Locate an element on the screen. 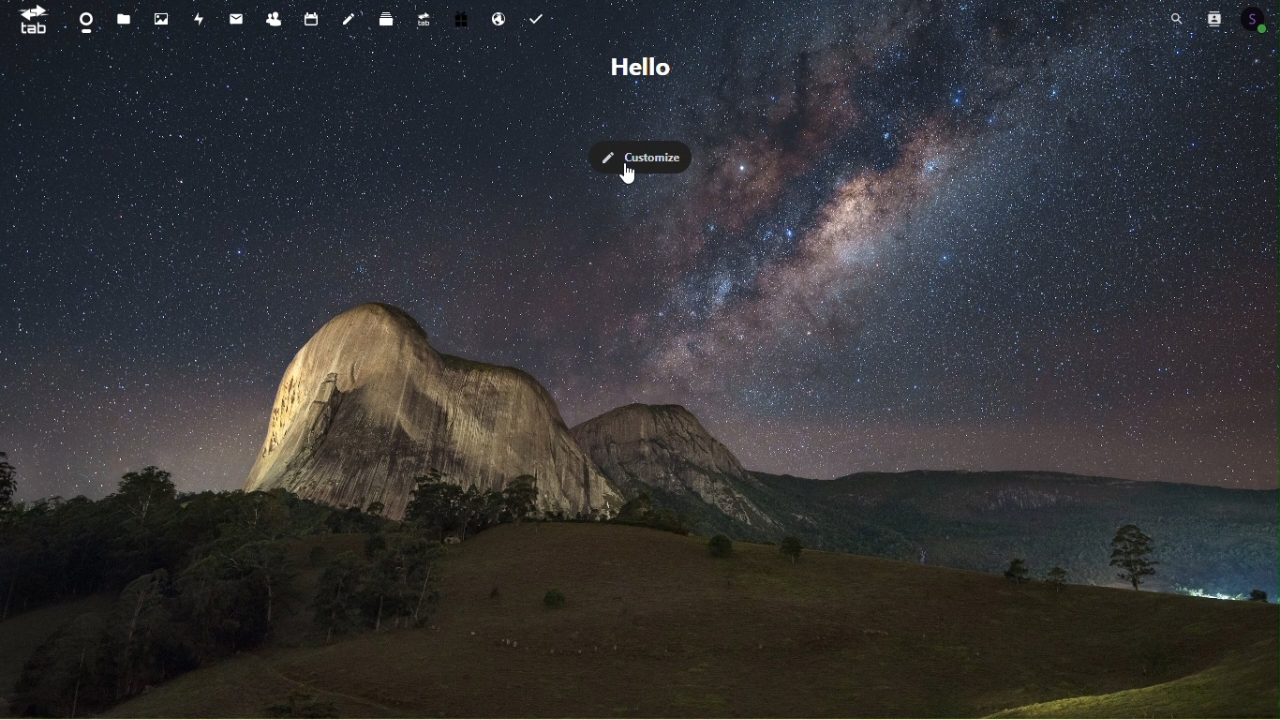 The width and height of the screenshot is (1280, 720). Task is located at coordinates (539, 19).